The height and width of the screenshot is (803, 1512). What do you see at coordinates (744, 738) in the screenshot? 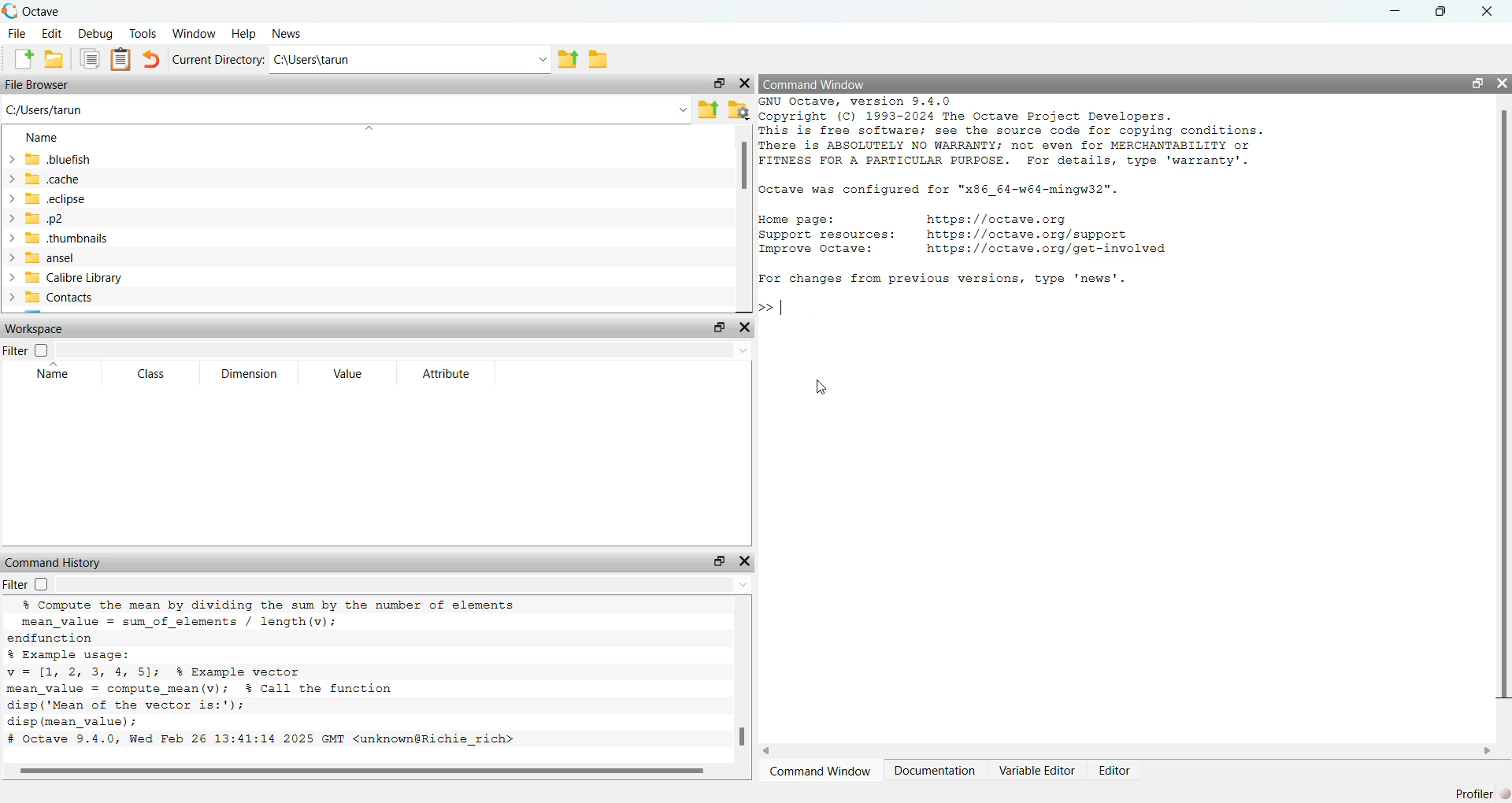
I see `scroll bar` at bounding box center [744, 738].